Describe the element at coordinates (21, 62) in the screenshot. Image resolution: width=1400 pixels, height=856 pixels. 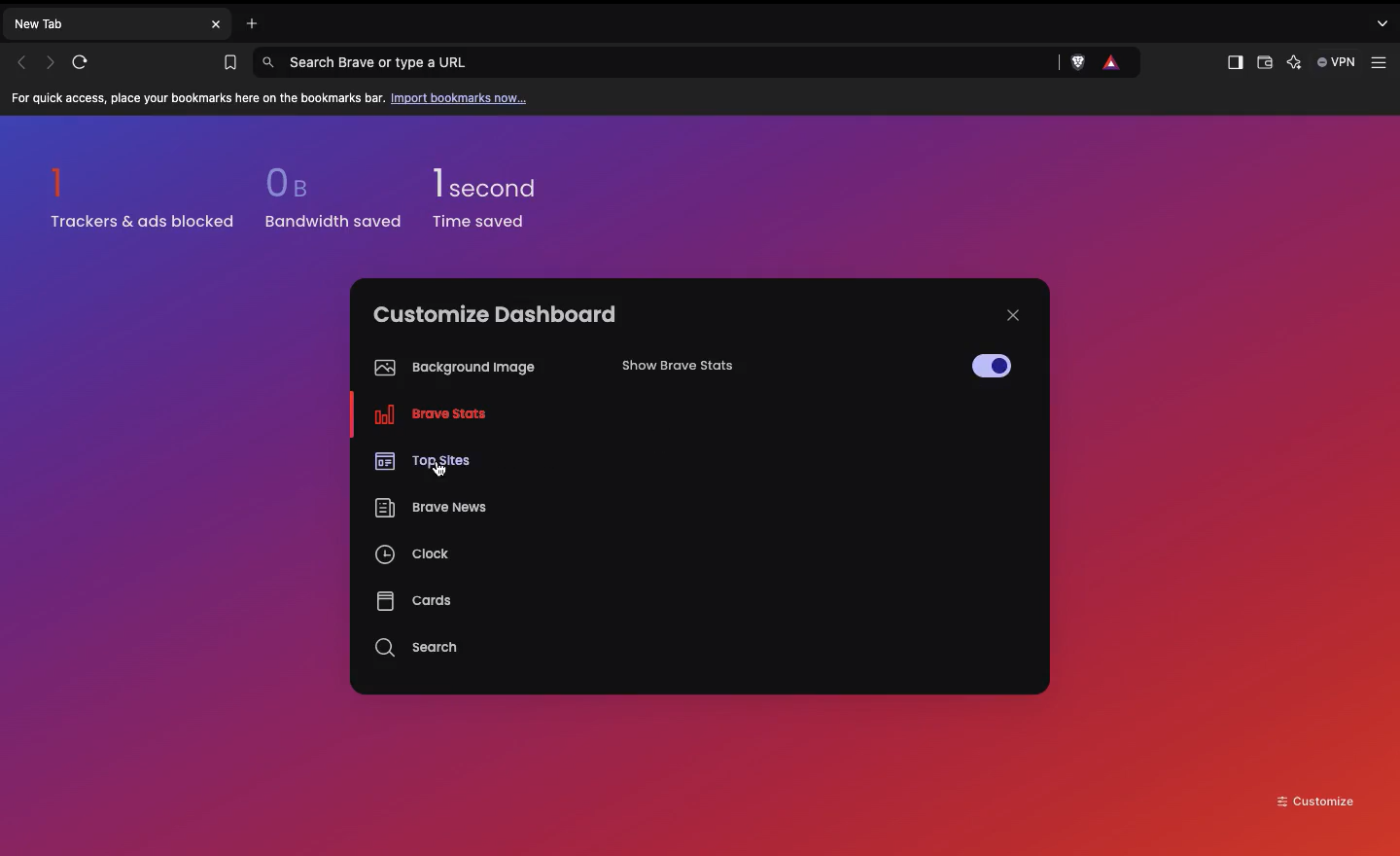
I see `Previous page` at that location.